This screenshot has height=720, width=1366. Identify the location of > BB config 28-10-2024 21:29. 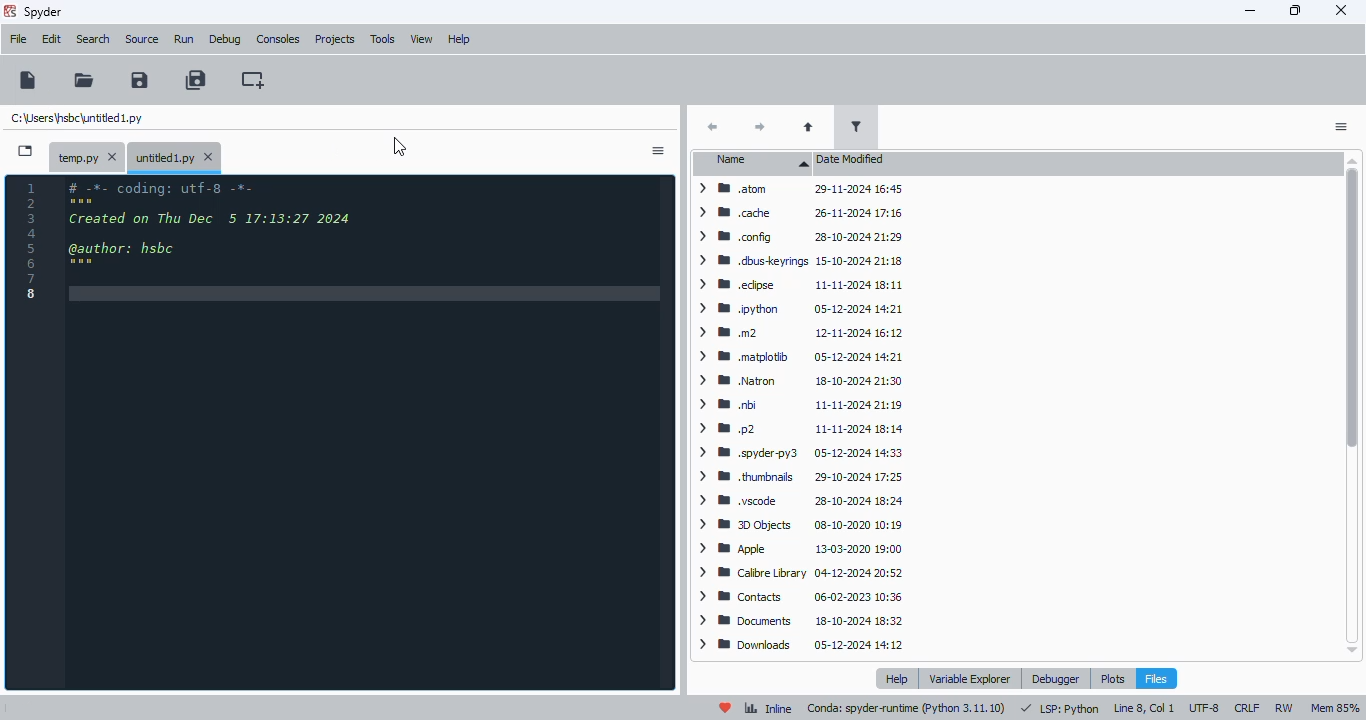
(800, 237).